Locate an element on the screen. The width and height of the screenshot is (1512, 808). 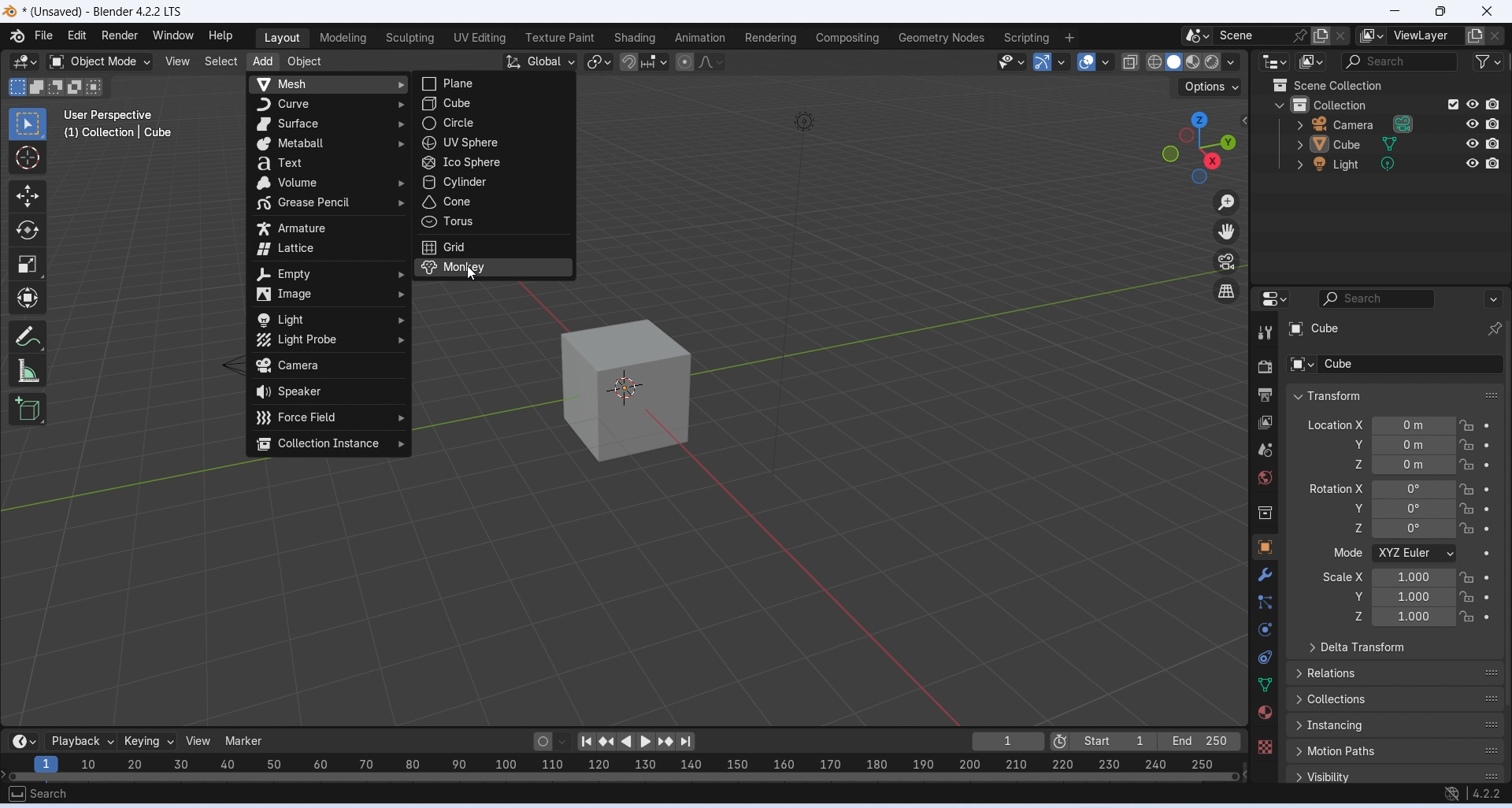
select is located at coordinates (220, 61).